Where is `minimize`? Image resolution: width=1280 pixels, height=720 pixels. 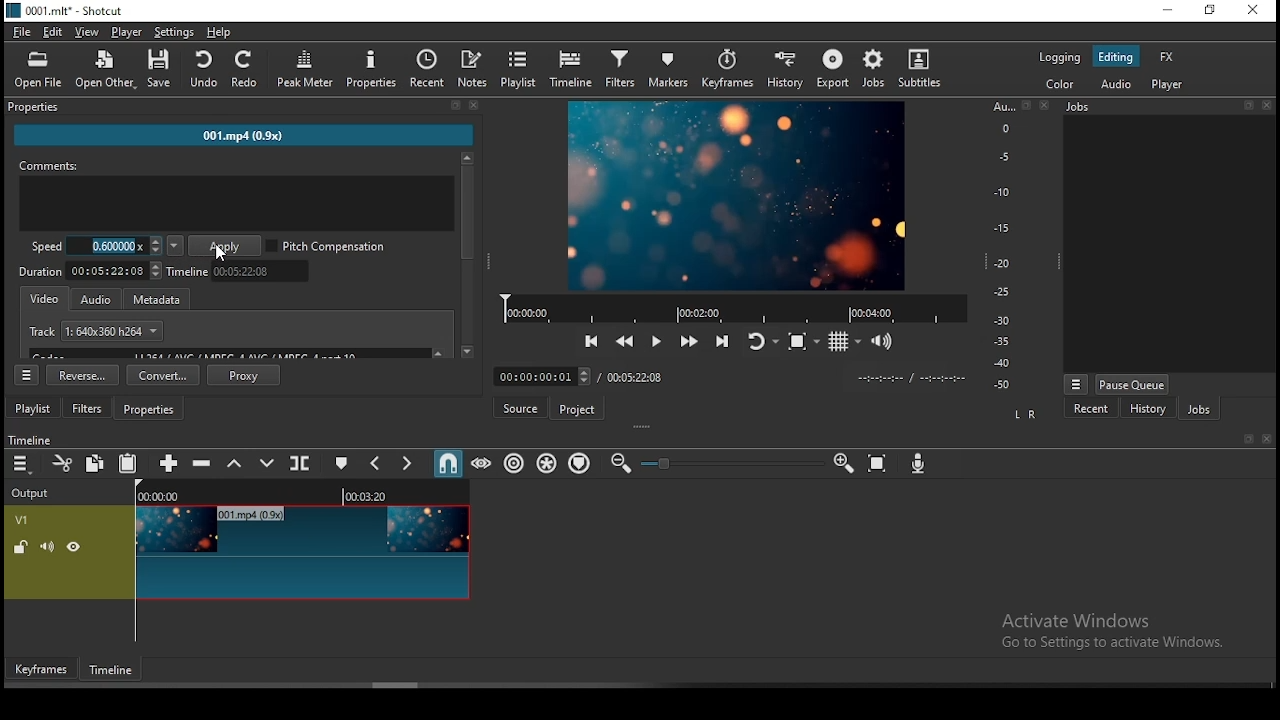
minimize is located at coordinates (1171, 10).